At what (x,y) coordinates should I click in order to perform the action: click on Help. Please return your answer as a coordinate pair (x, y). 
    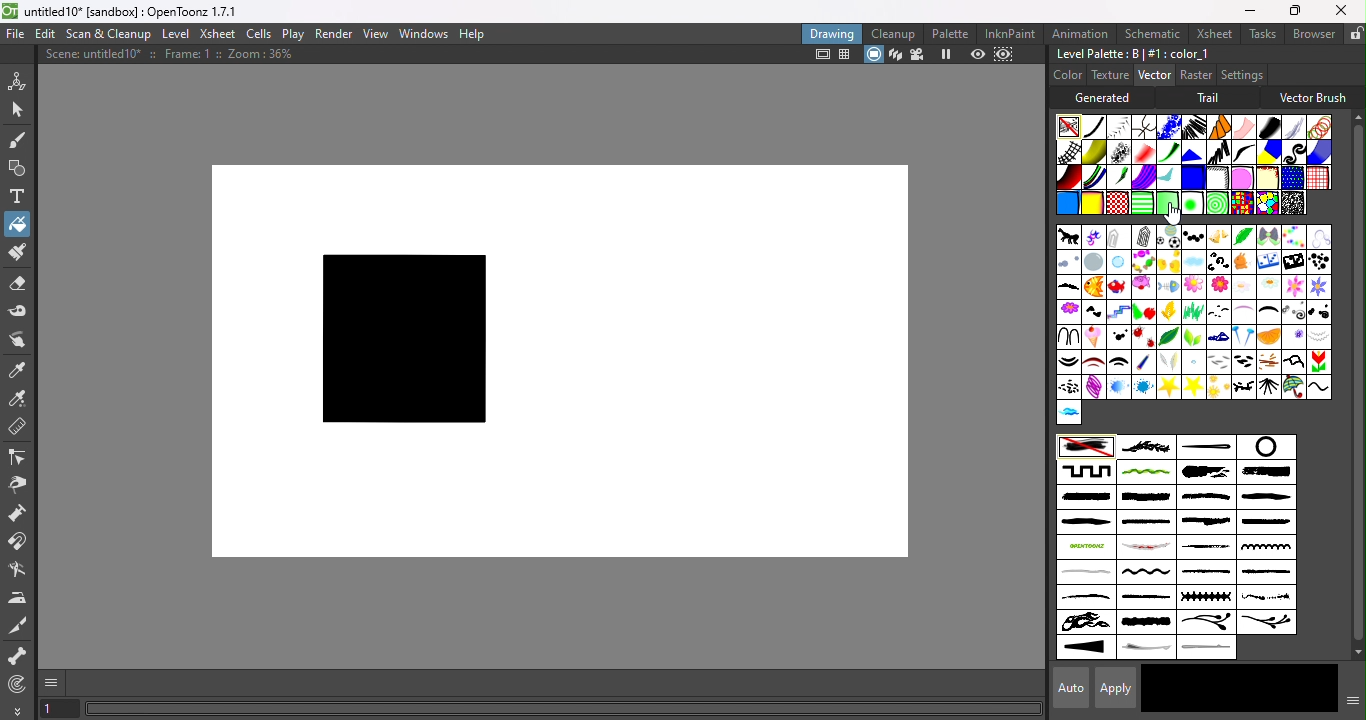
    Looking at the image, I should click on (477, 32).